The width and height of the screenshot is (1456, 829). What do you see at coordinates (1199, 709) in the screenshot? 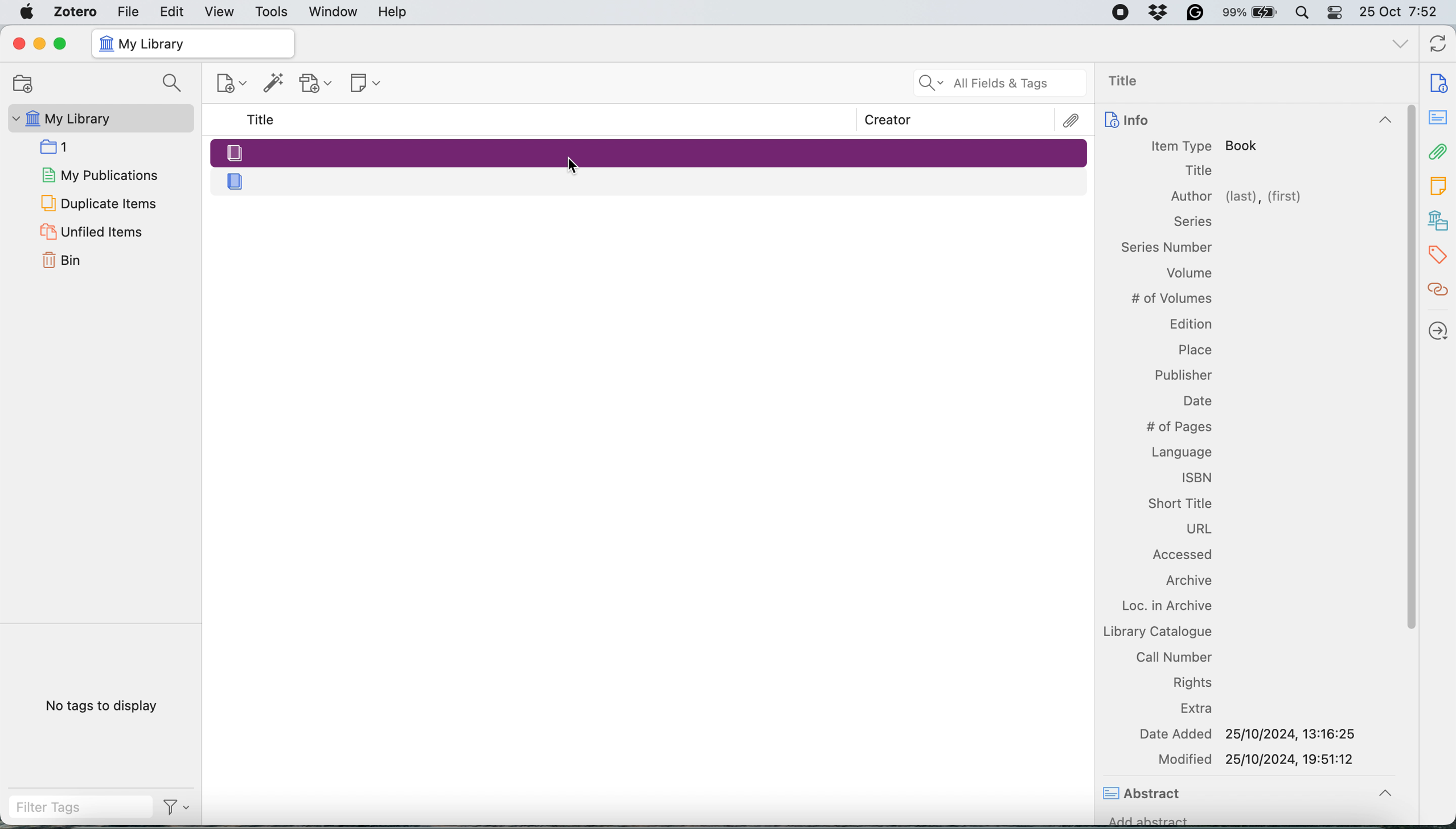
I see `Extra` at bounding box center [1199, 709].